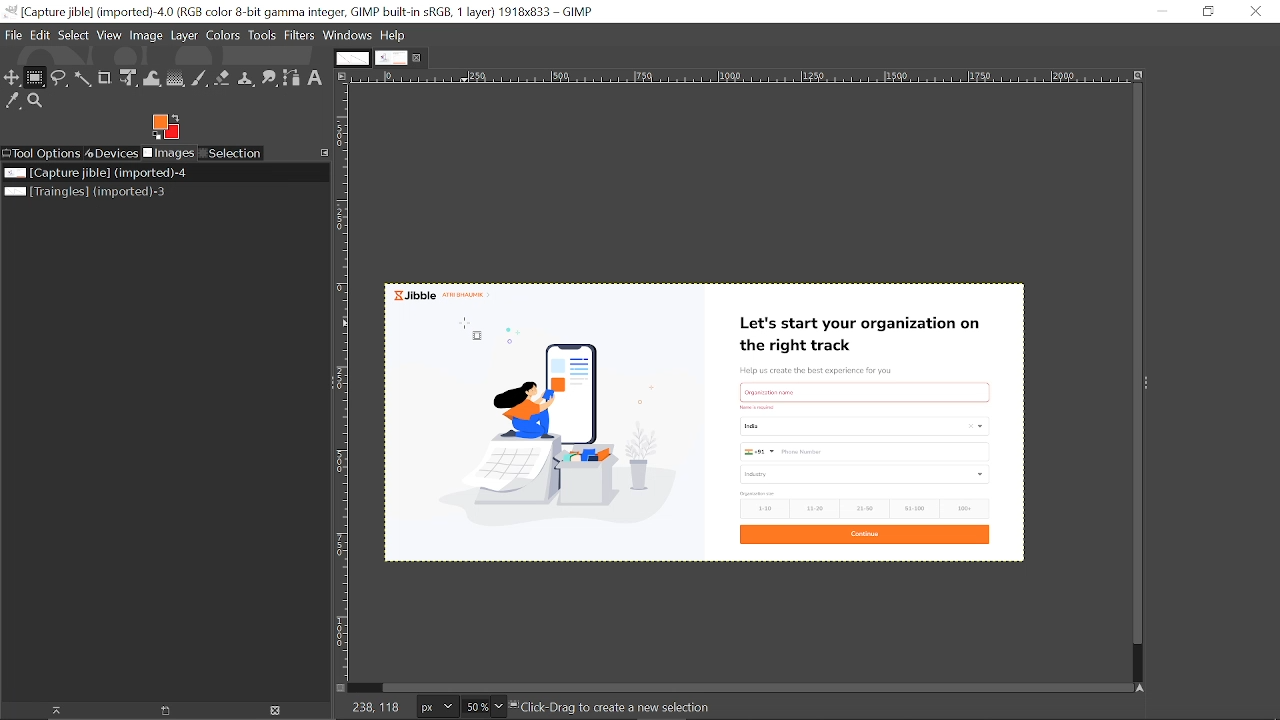  Describe the element at coordinates (93, 172) in the screenshot. I see `Current image file` at that location.